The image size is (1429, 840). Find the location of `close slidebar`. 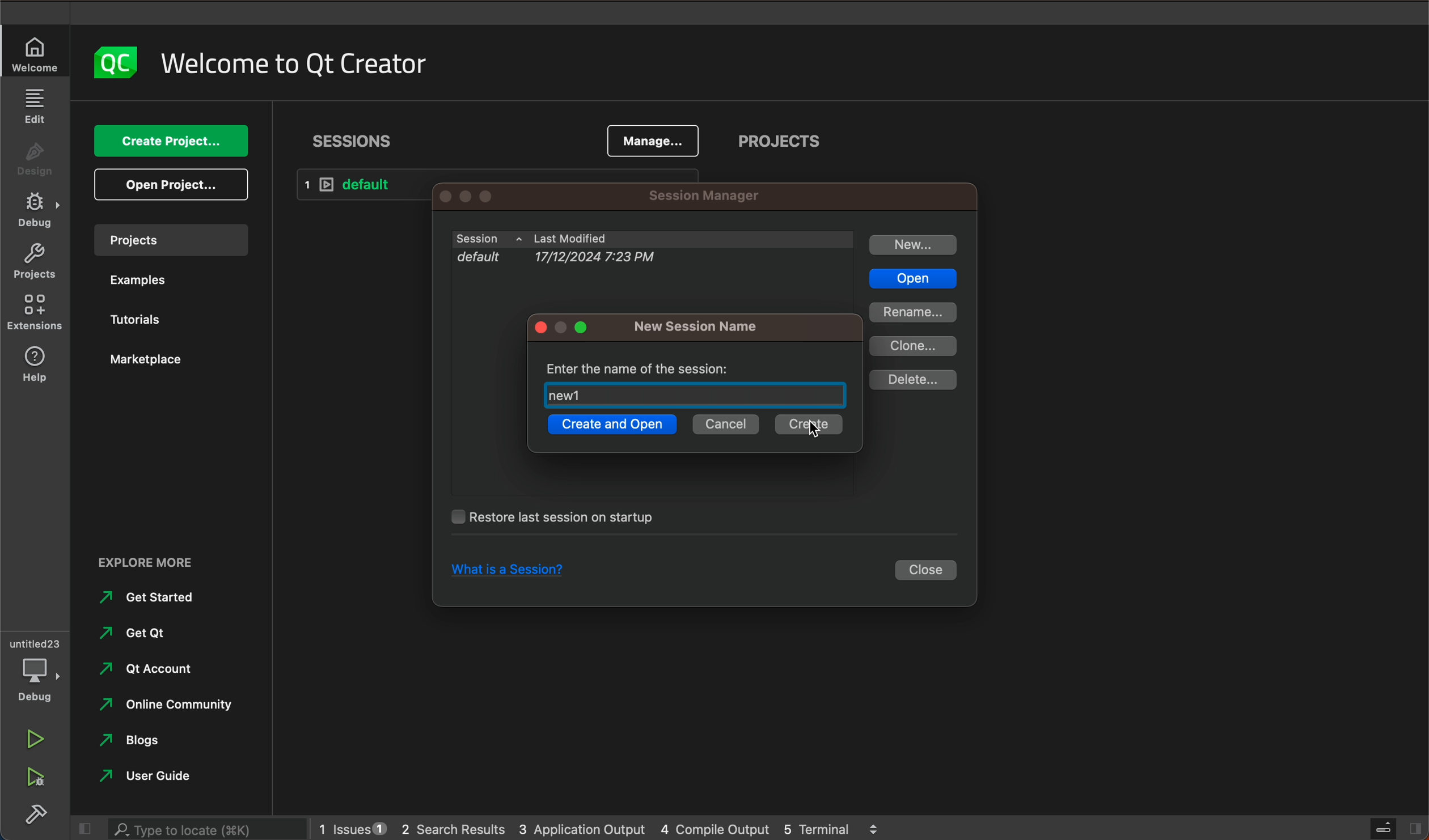

close slidebar is located at coordinates (1394, 827).